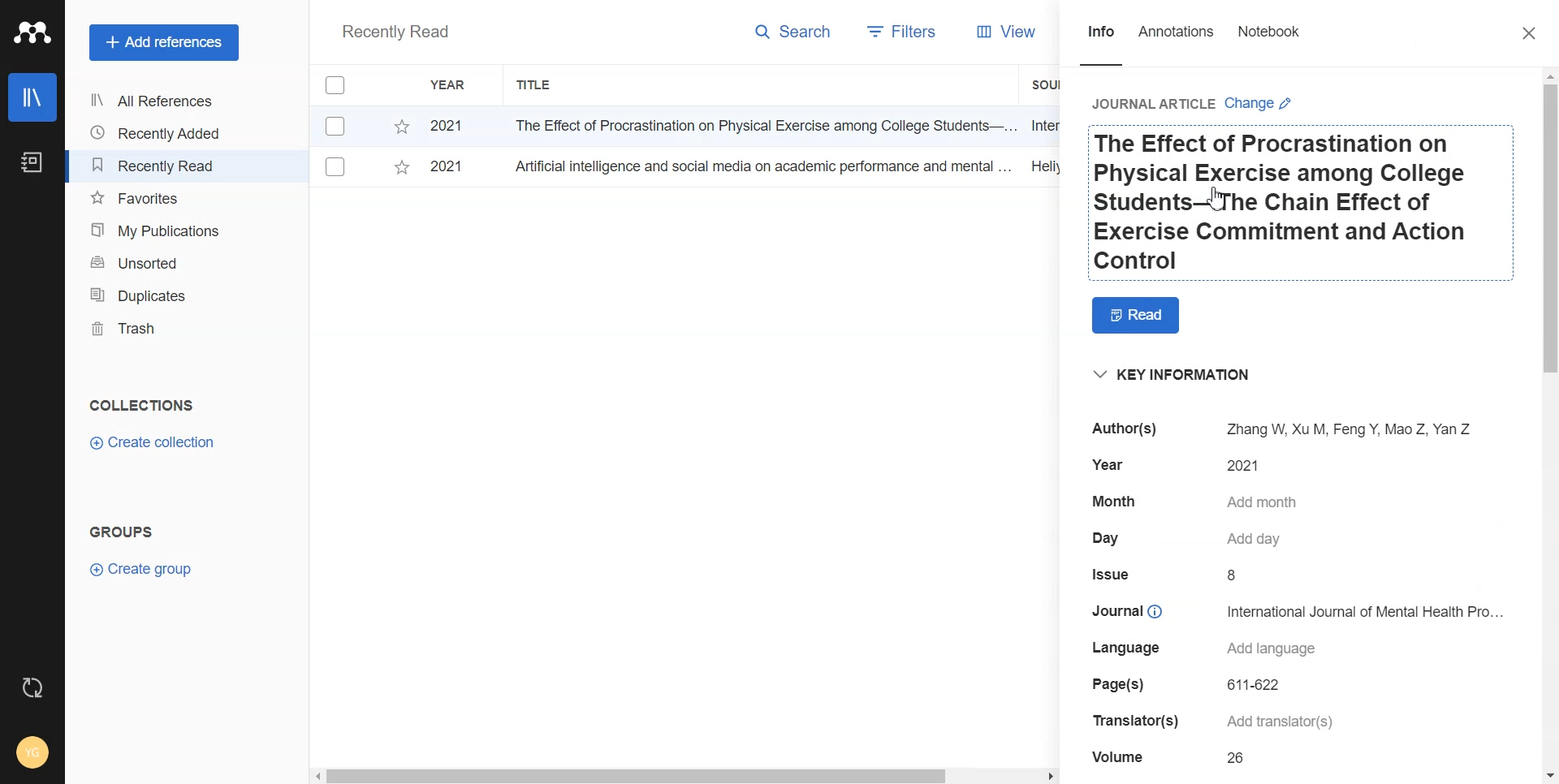 This screenshot has height=784, width=1559. Describe the element at coordinates (159, 295) in the screenshot. I see `Duplicates` at that location.